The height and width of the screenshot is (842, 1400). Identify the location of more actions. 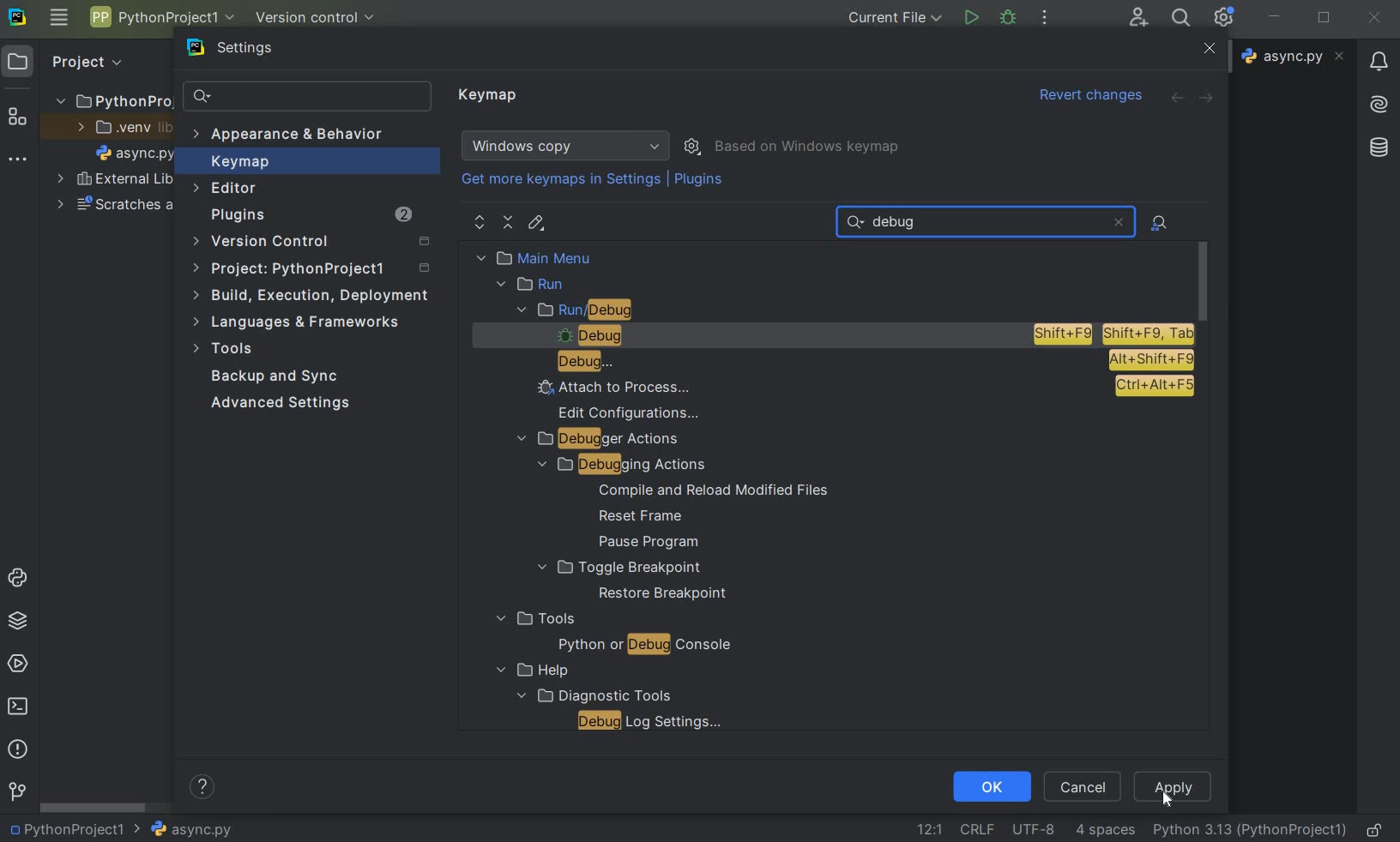
(1044, 19).